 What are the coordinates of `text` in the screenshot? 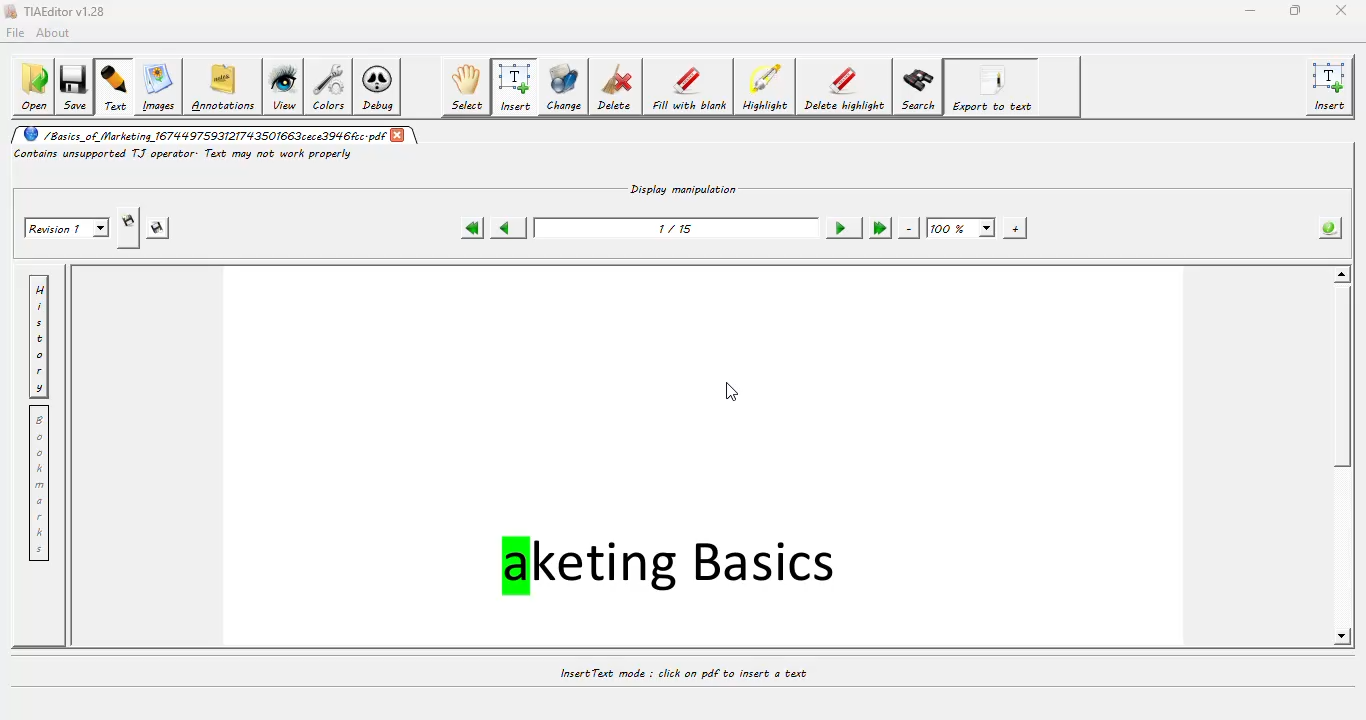 It's located at (116, 88).